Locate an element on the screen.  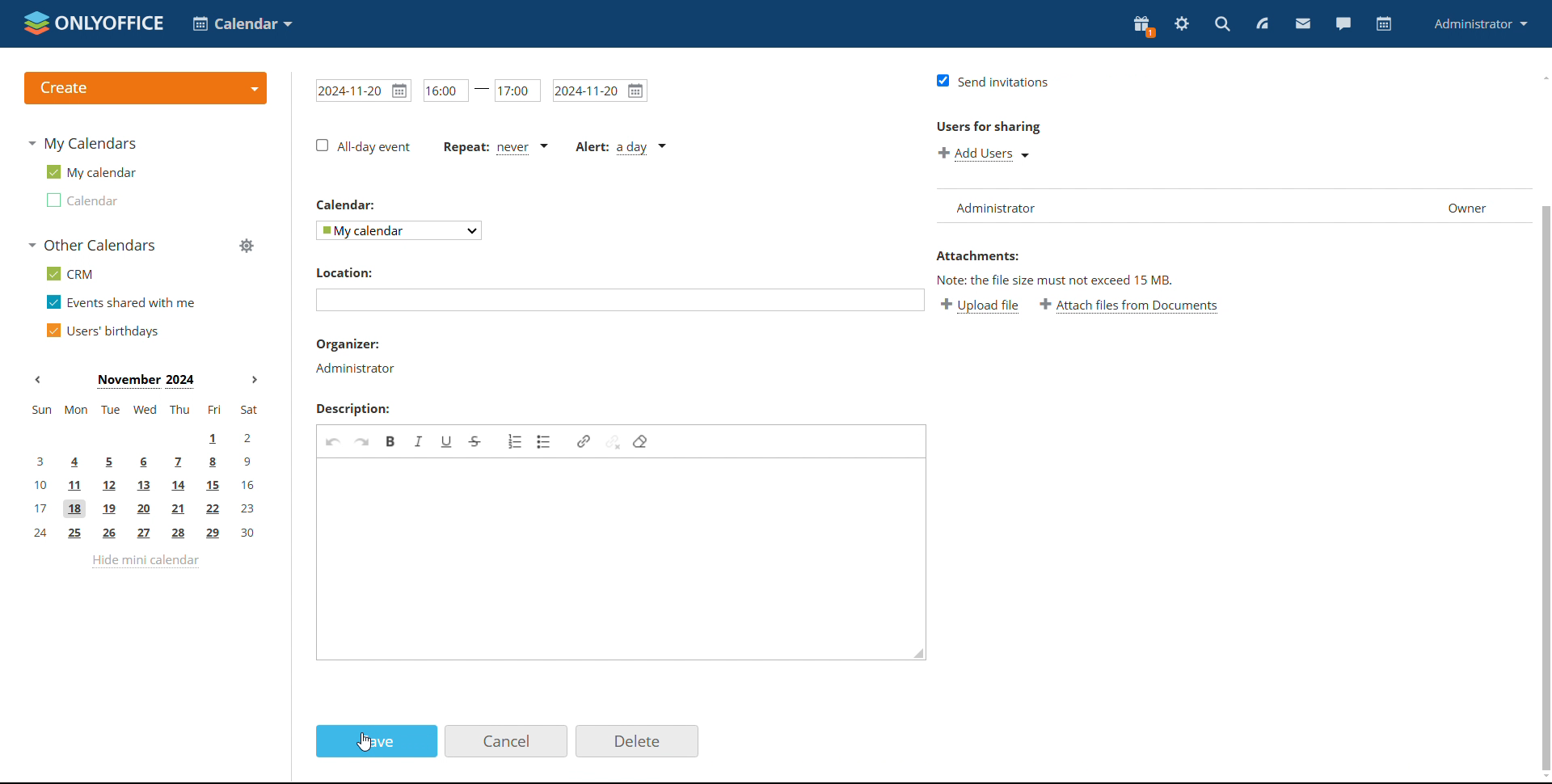
search is located at coordinates (1221, 24).